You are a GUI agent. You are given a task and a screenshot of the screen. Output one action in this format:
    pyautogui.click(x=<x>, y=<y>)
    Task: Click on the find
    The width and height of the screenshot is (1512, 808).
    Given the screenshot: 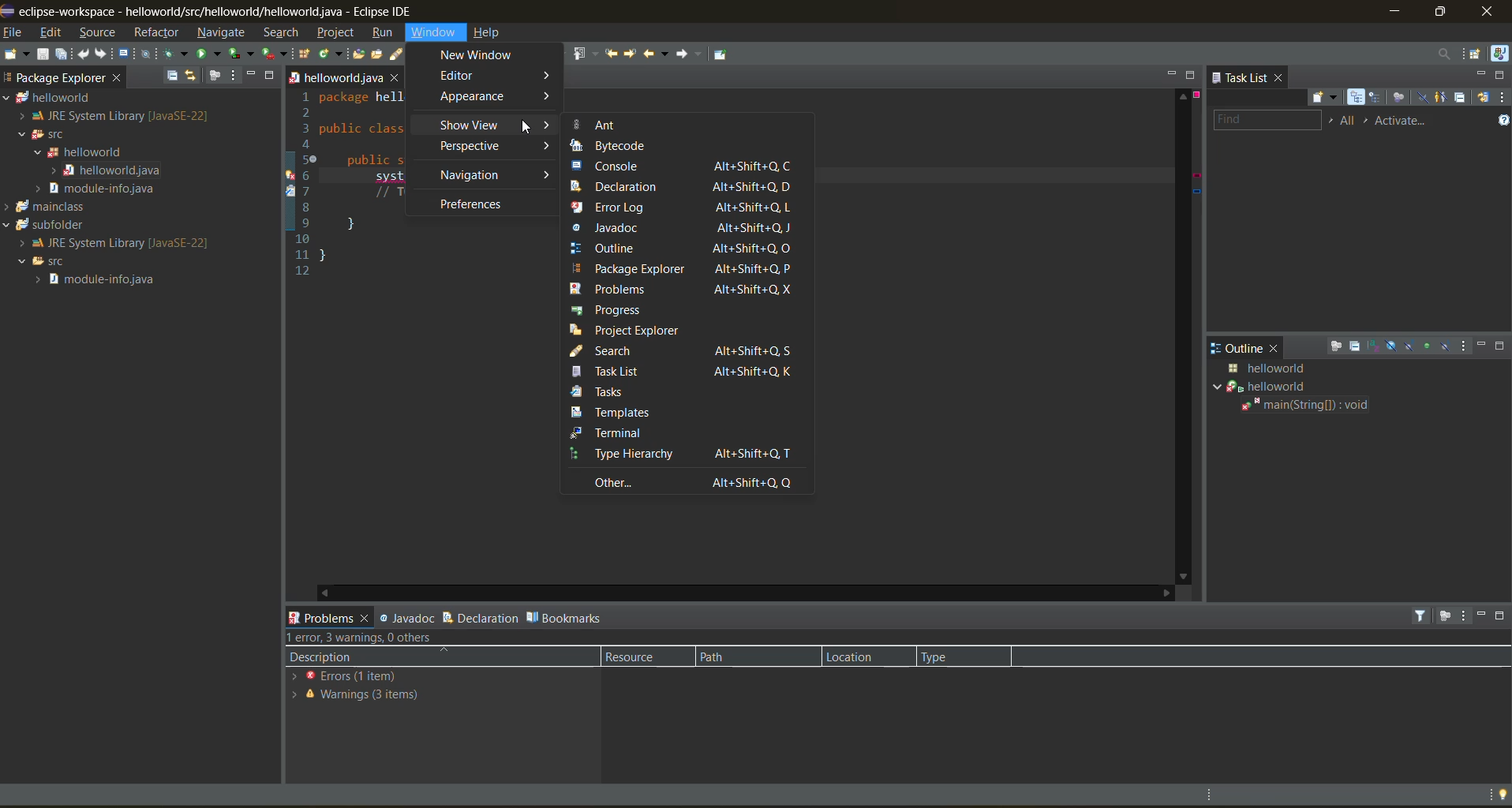 What is the action you would take?
    pyautogui.click(x=1269, y=121)
    